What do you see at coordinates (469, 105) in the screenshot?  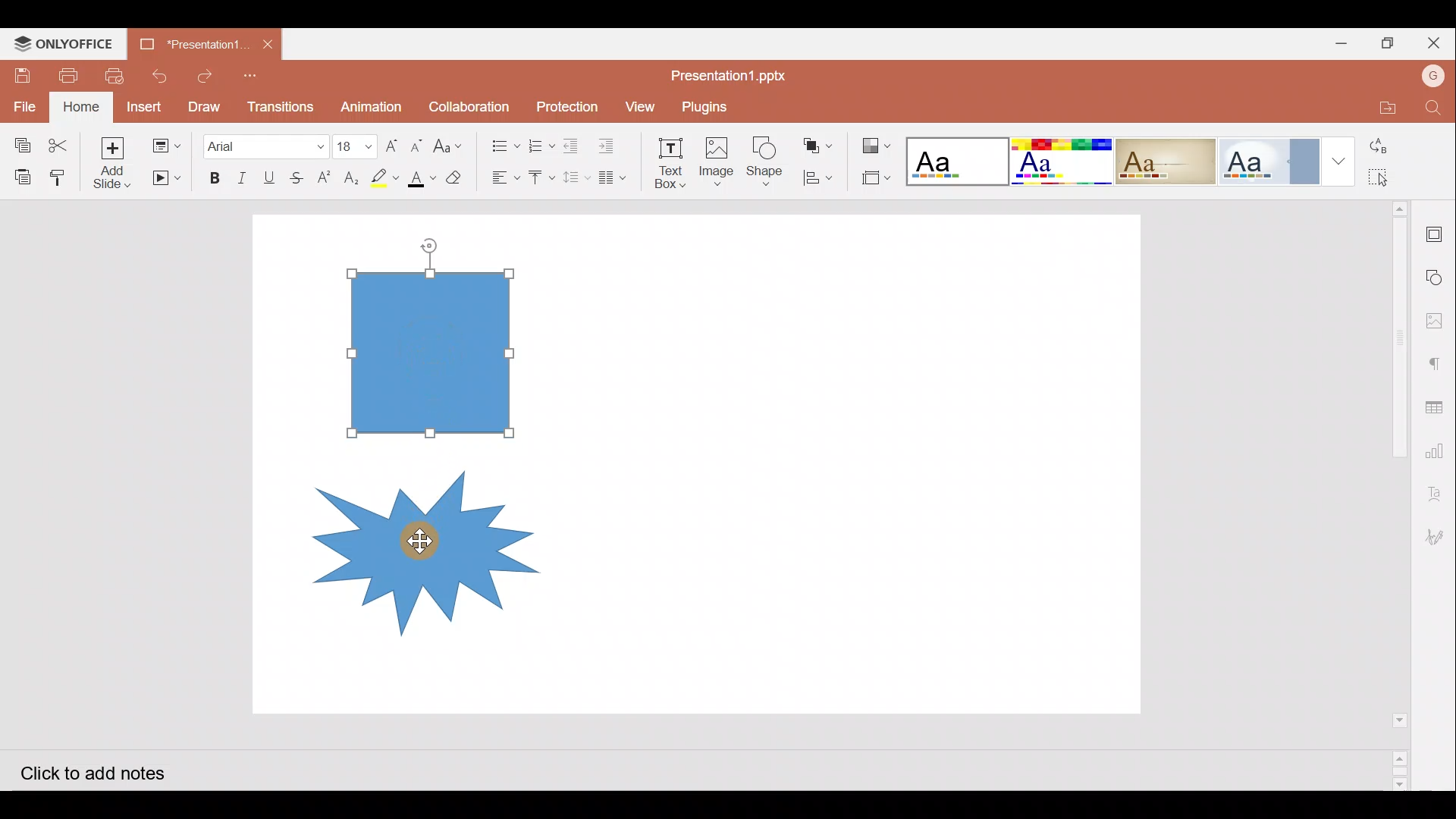 I see `Collaboration` at bounding box center [469, 105].